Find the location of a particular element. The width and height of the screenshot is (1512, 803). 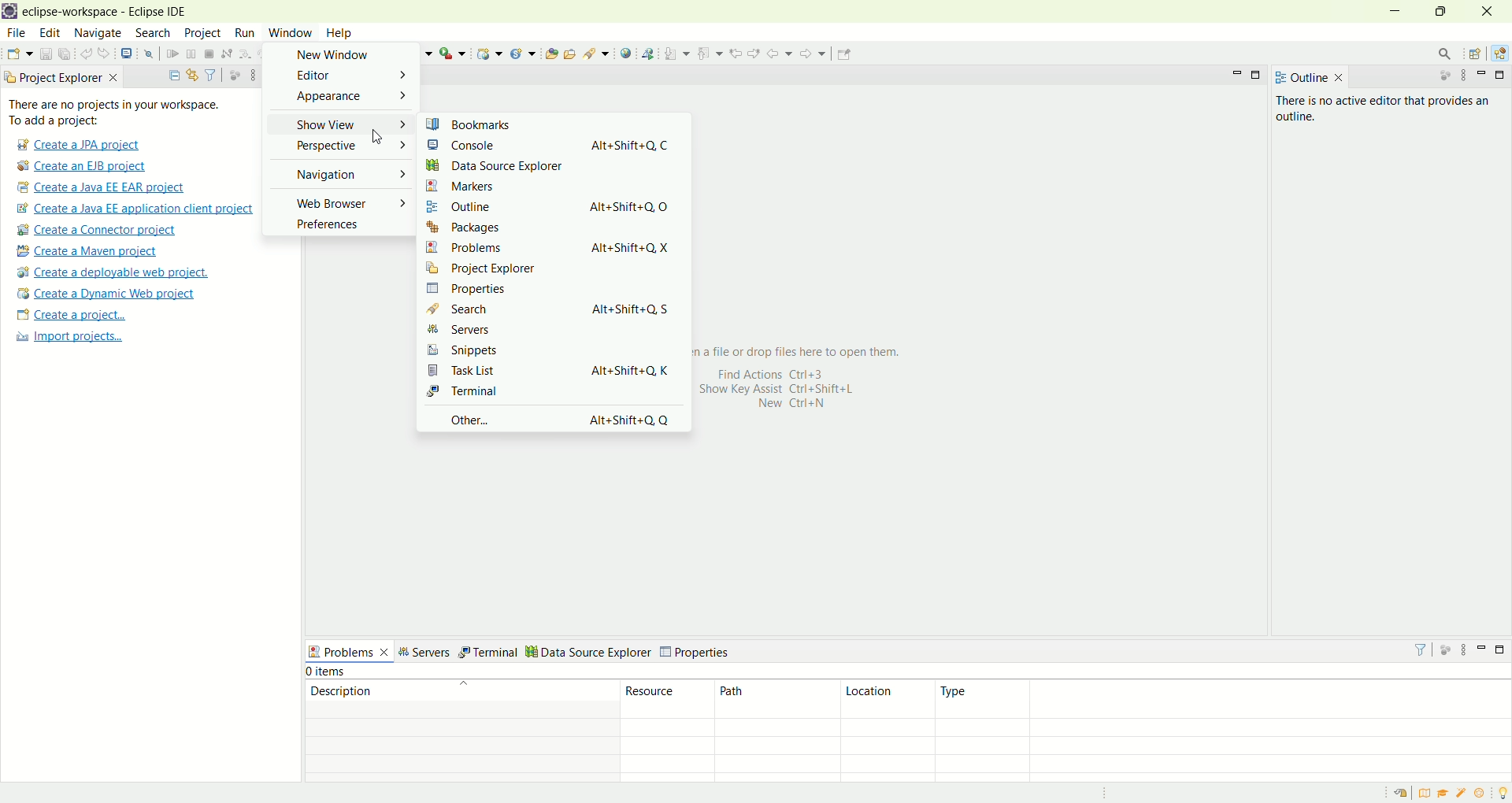

path is located at coordinates (777, 698).